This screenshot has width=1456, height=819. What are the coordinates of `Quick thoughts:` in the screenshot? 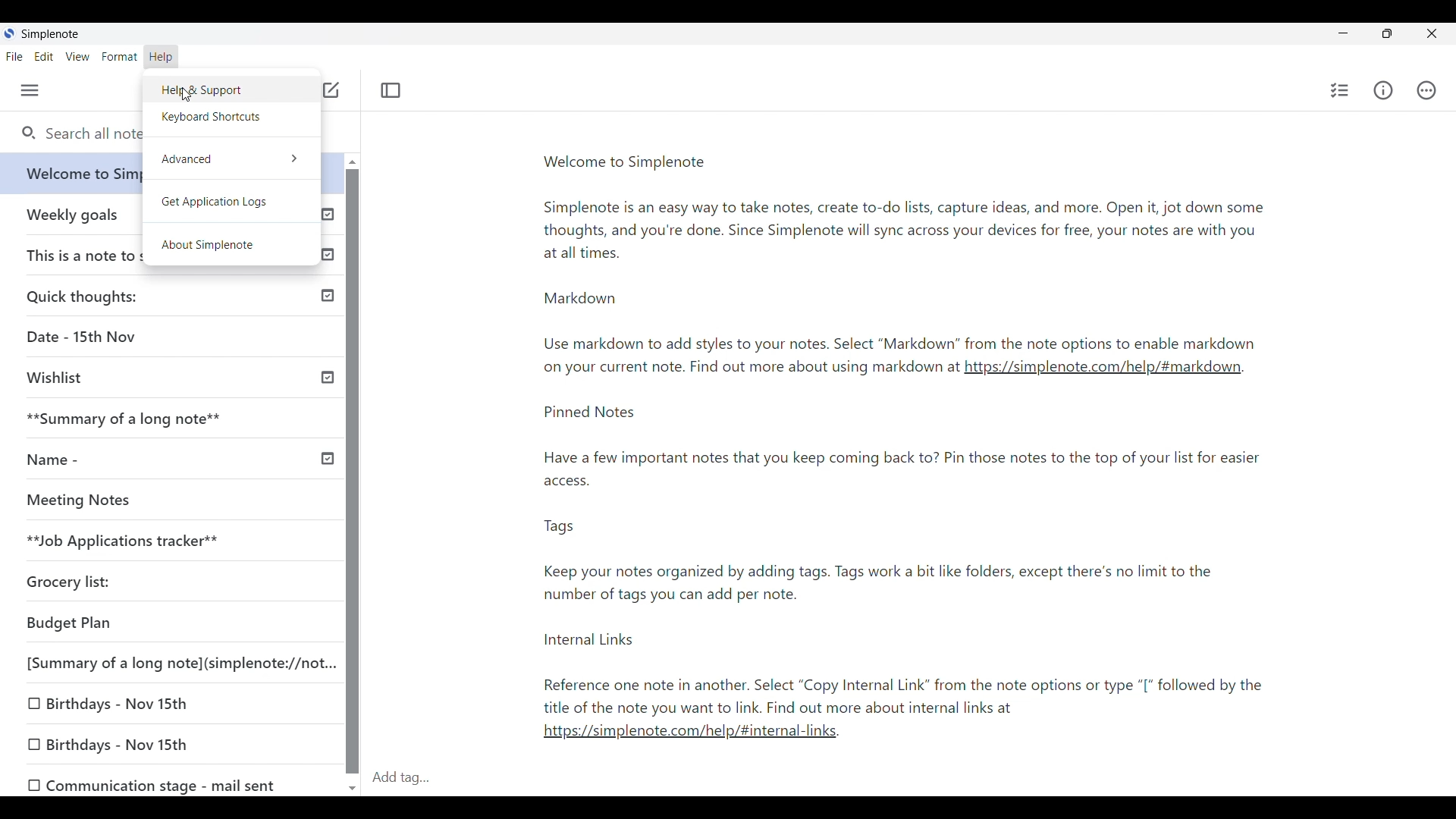 It's located at (143, 293).